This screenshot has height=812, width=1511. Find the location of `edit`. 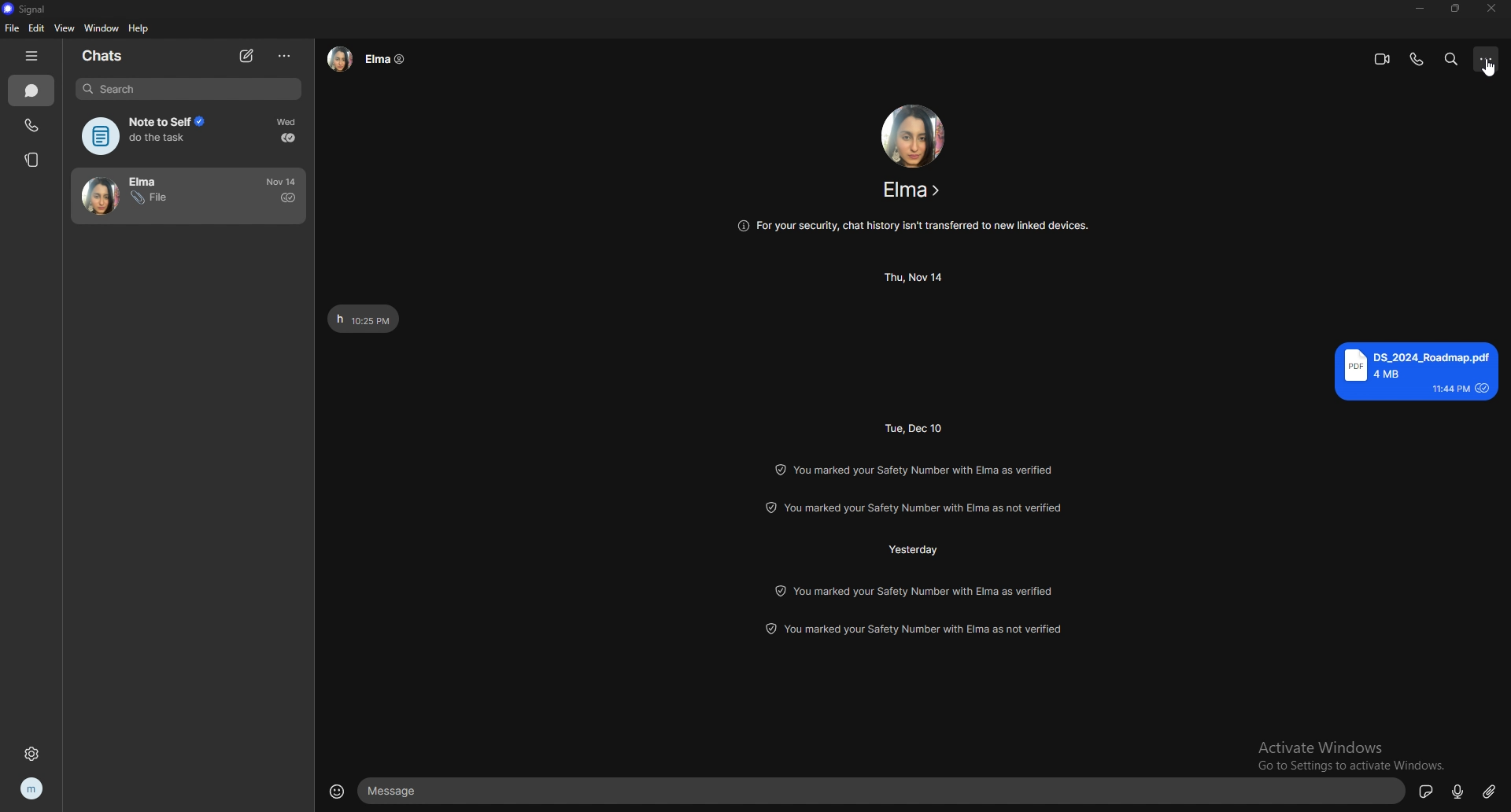

edit is located at coordinates (35, 29).